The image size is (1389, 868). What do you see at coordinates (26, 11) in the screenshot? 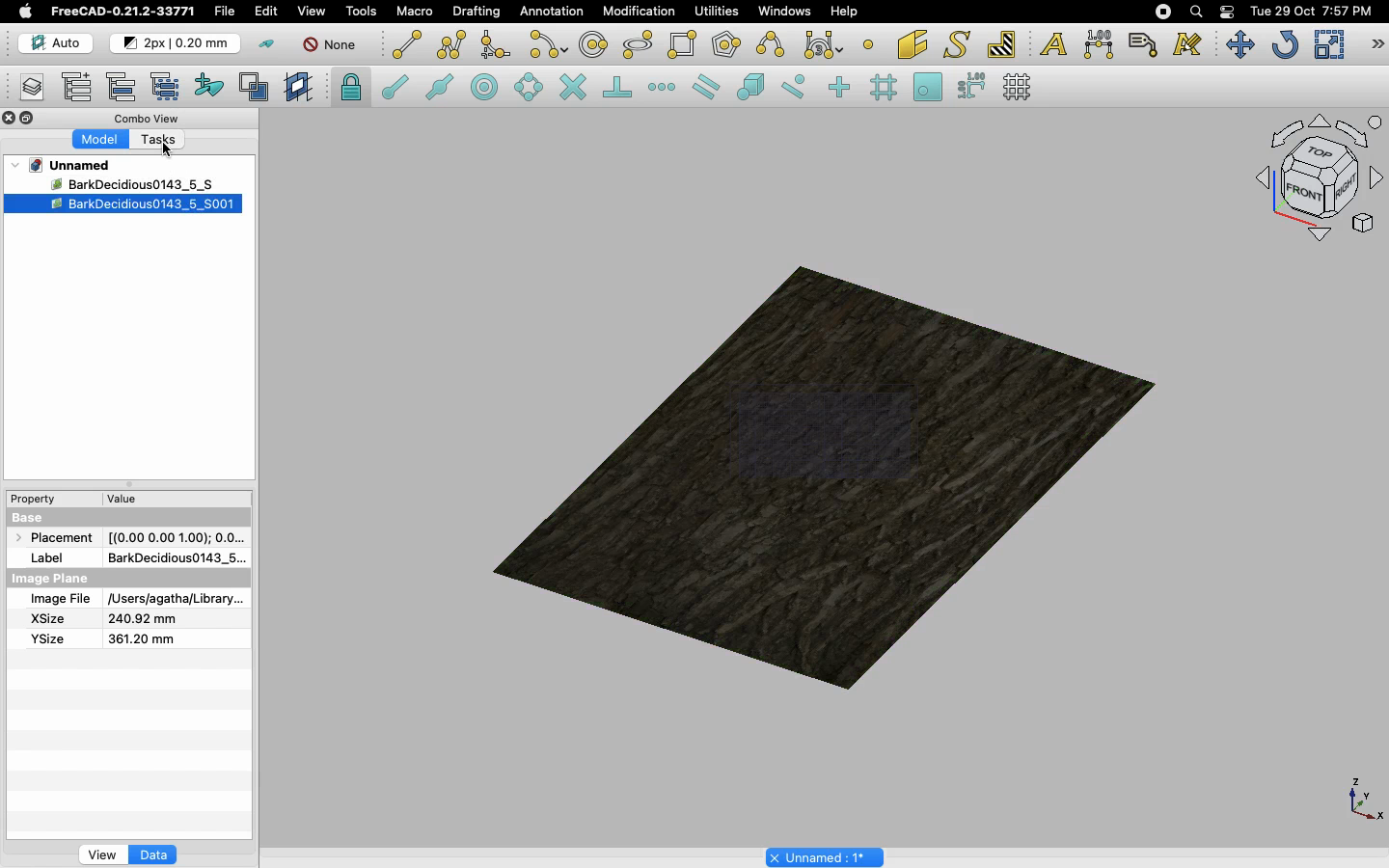
I see `Apple log` at bounding box center [26, 11].